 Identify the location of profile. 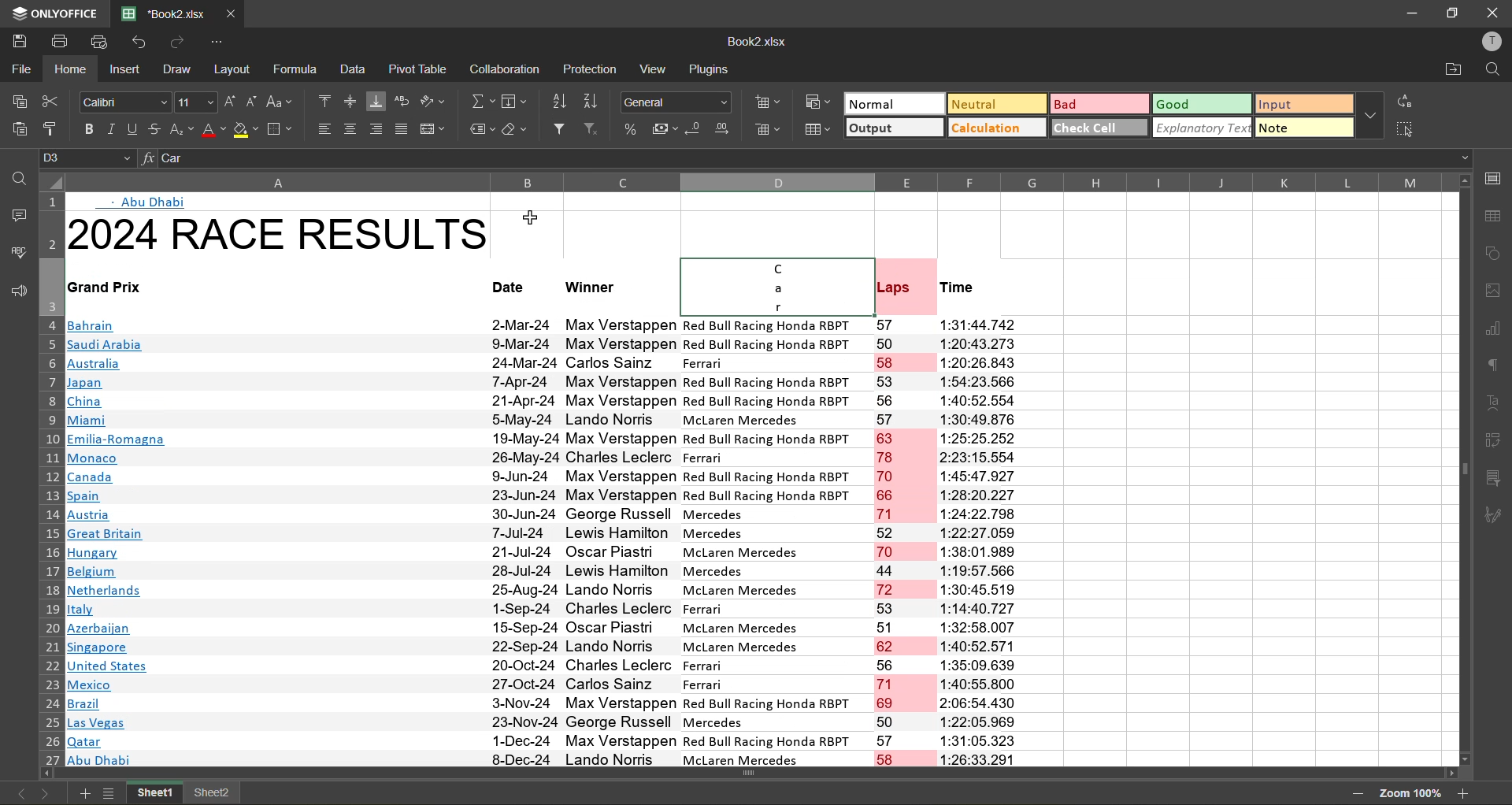
(1492, 43).